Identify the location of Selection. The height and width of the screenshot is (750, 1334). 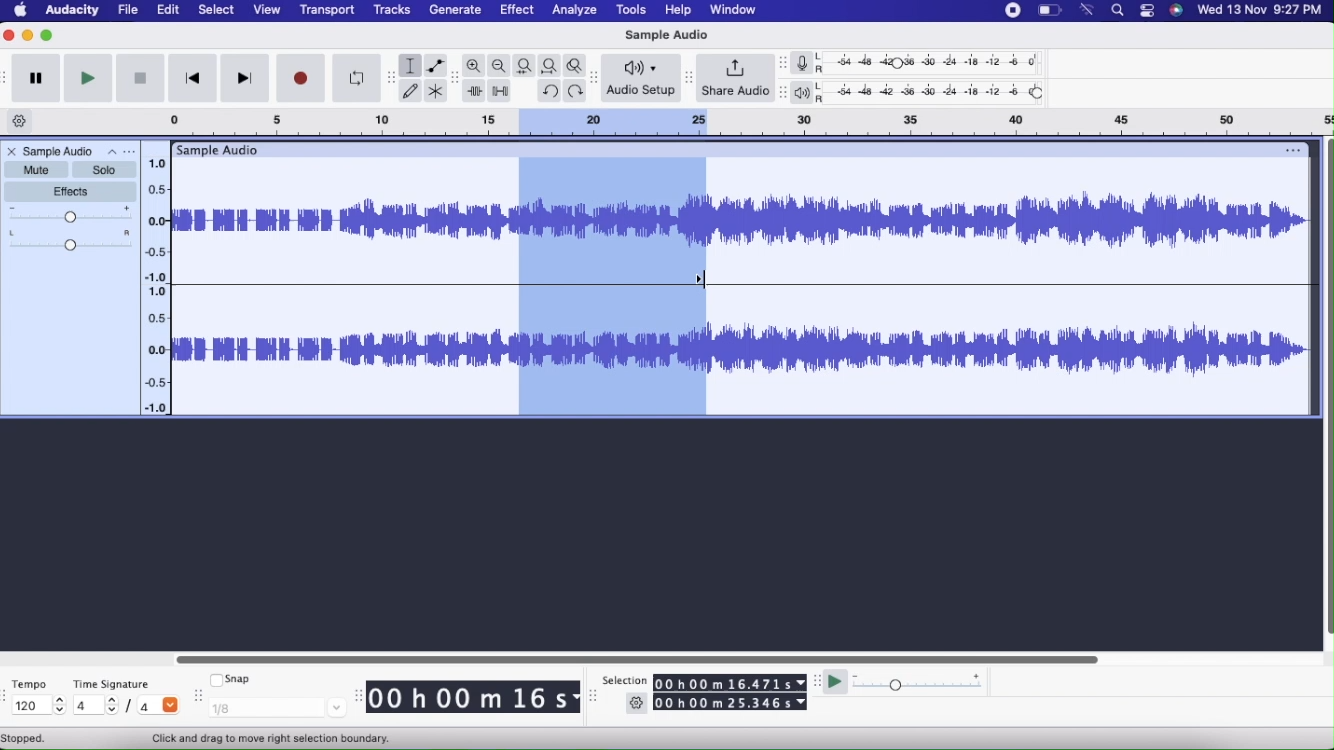
(624, 681).